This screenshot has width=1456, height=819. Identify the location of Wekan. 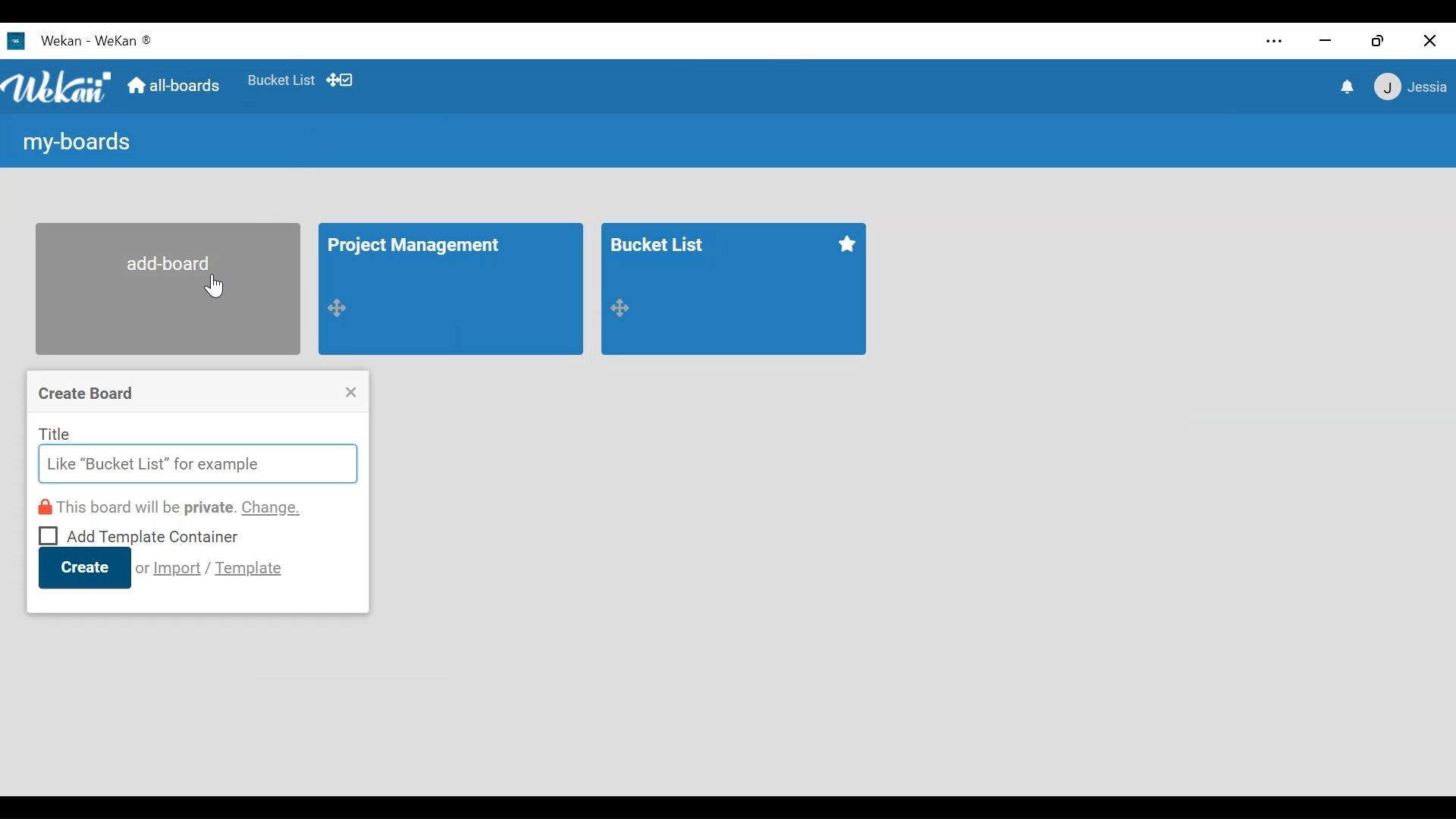
(124, 40).